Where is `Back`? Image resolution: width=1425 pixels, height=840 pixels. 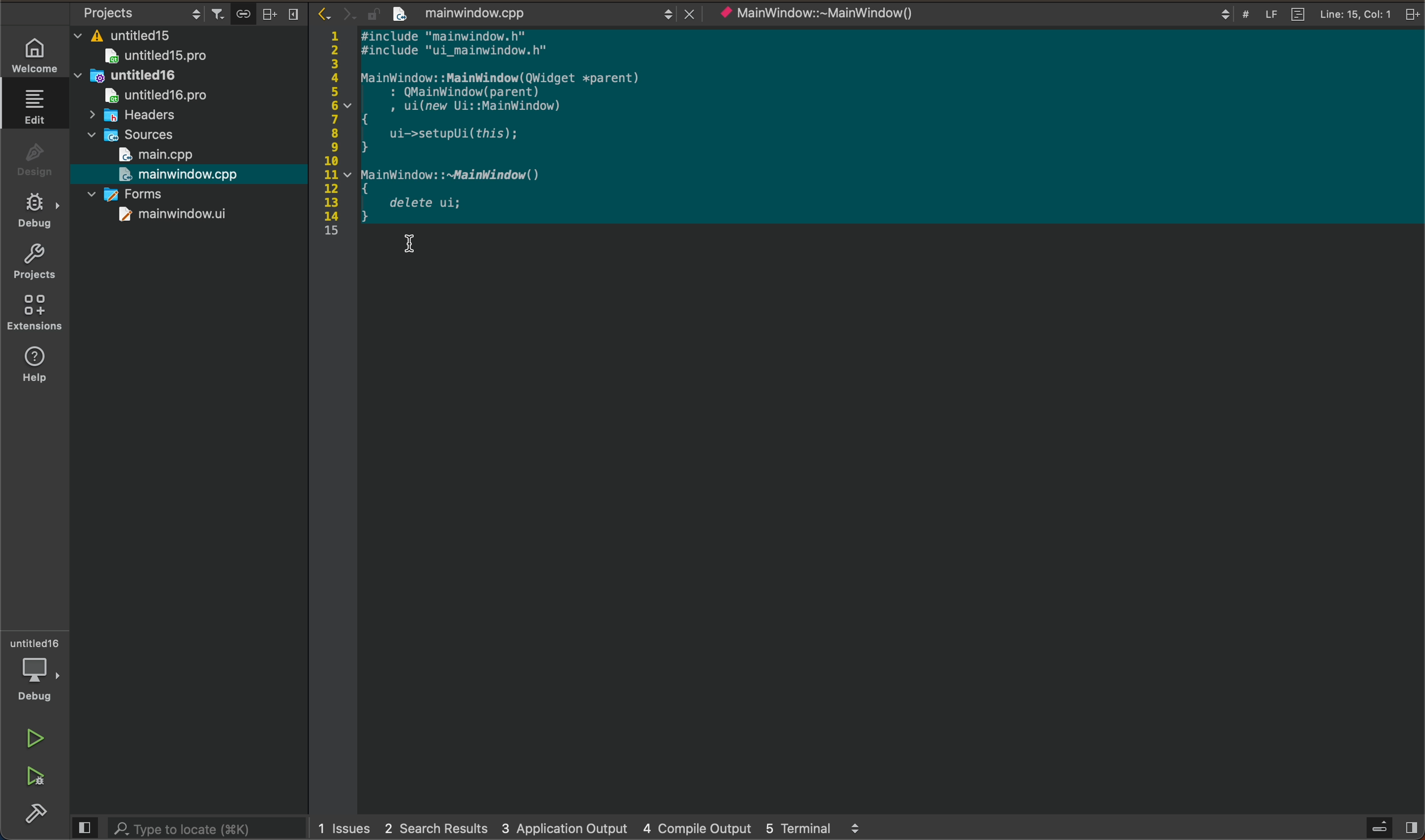
Back is located at coordinates (323, 12).